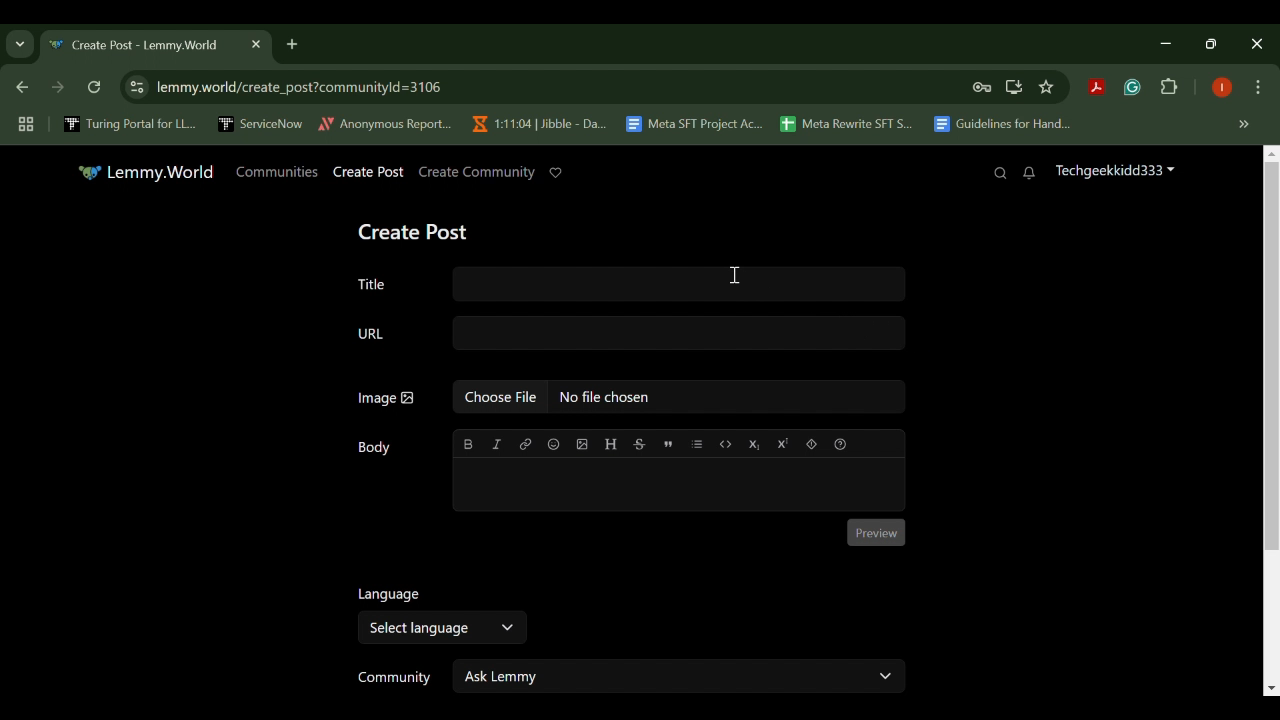 The height and width of the screenshot is (720, 1280). Describe the element at coordinates (369, 173) in the screenshot. I see `Create Post` at that location.